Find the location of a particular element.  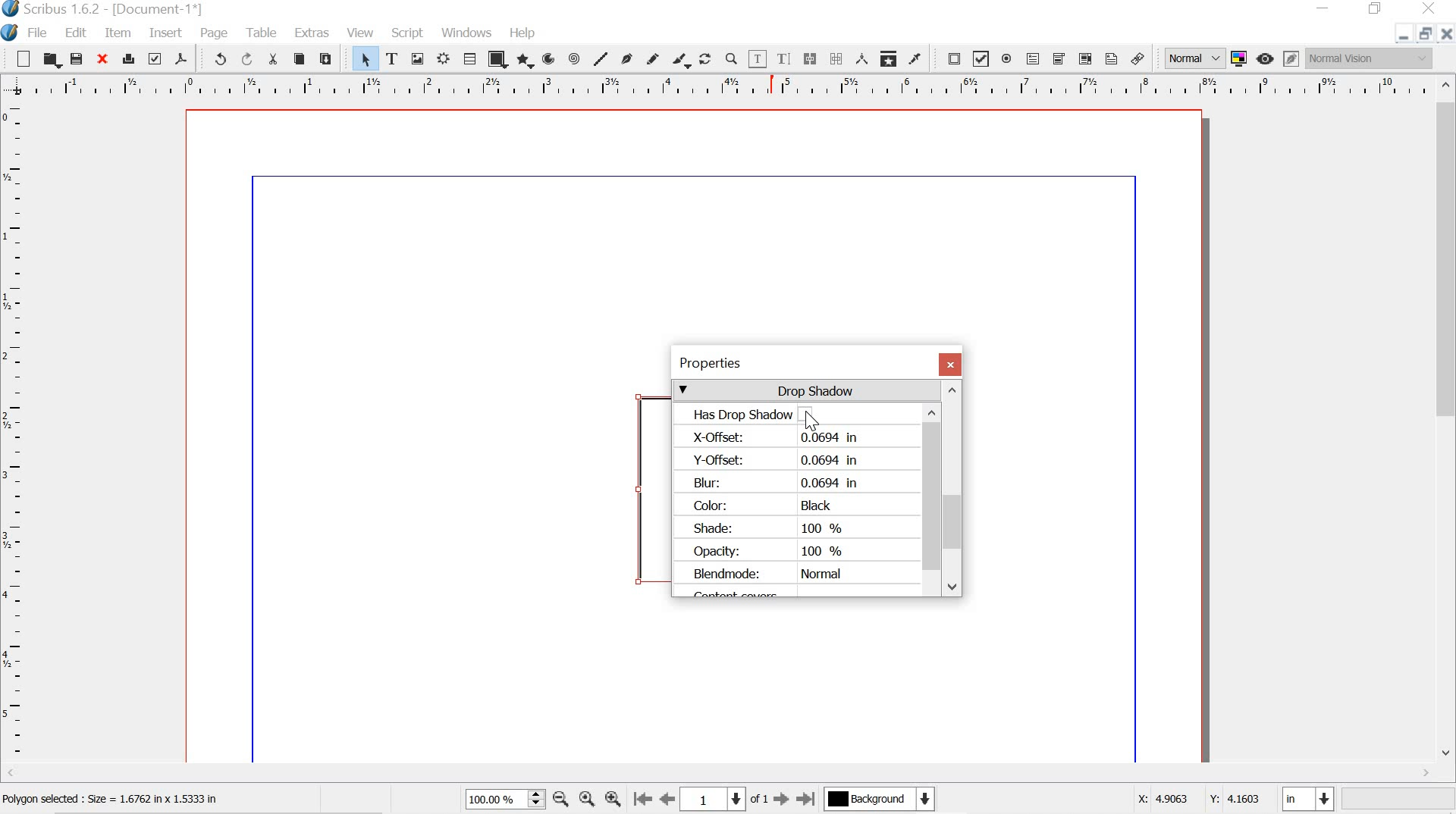

shape is located at coordinates (495, 61).